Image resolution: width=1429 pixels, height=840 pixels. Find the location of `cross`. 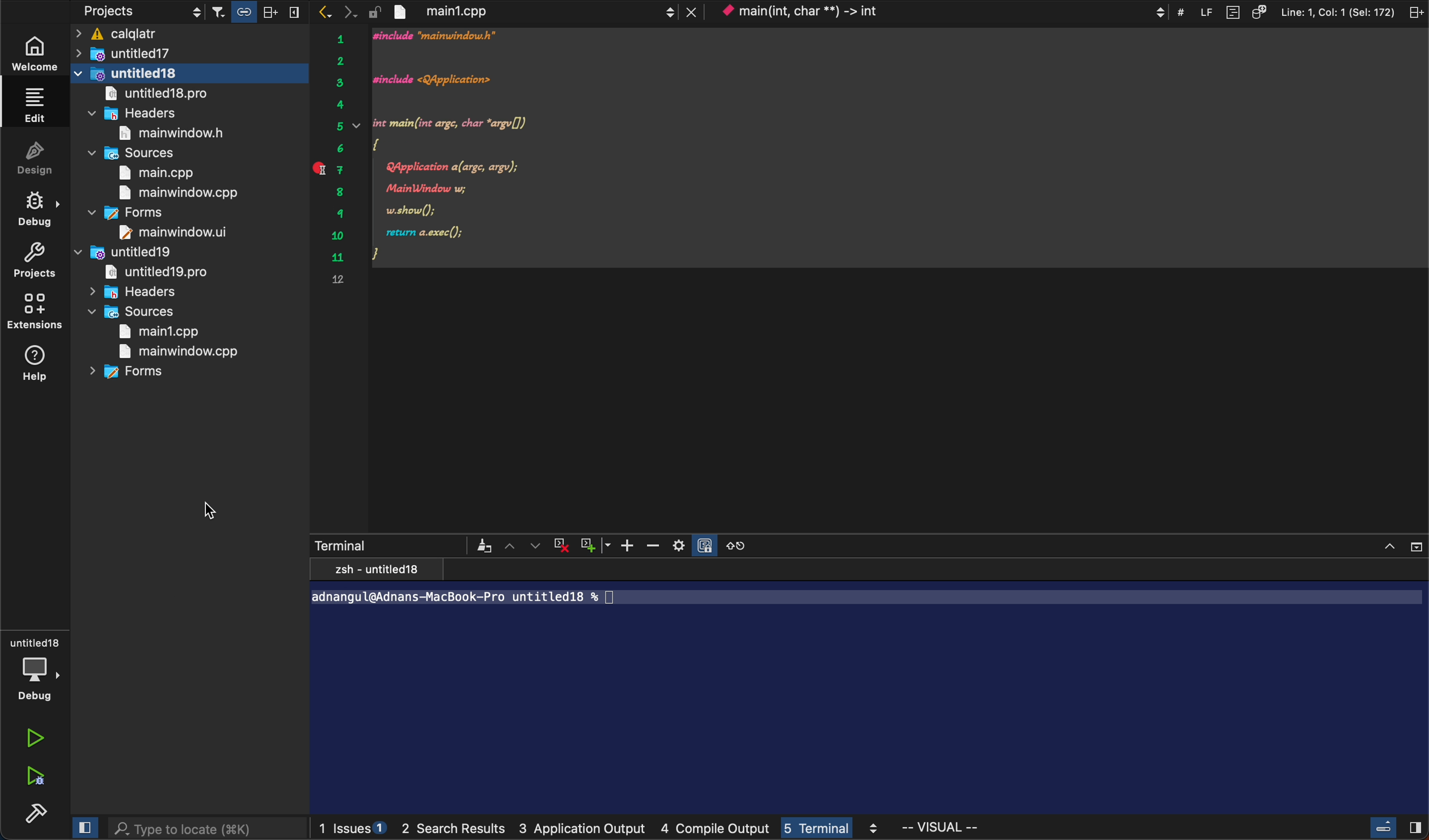

cross is located at coordinates (565, 544).